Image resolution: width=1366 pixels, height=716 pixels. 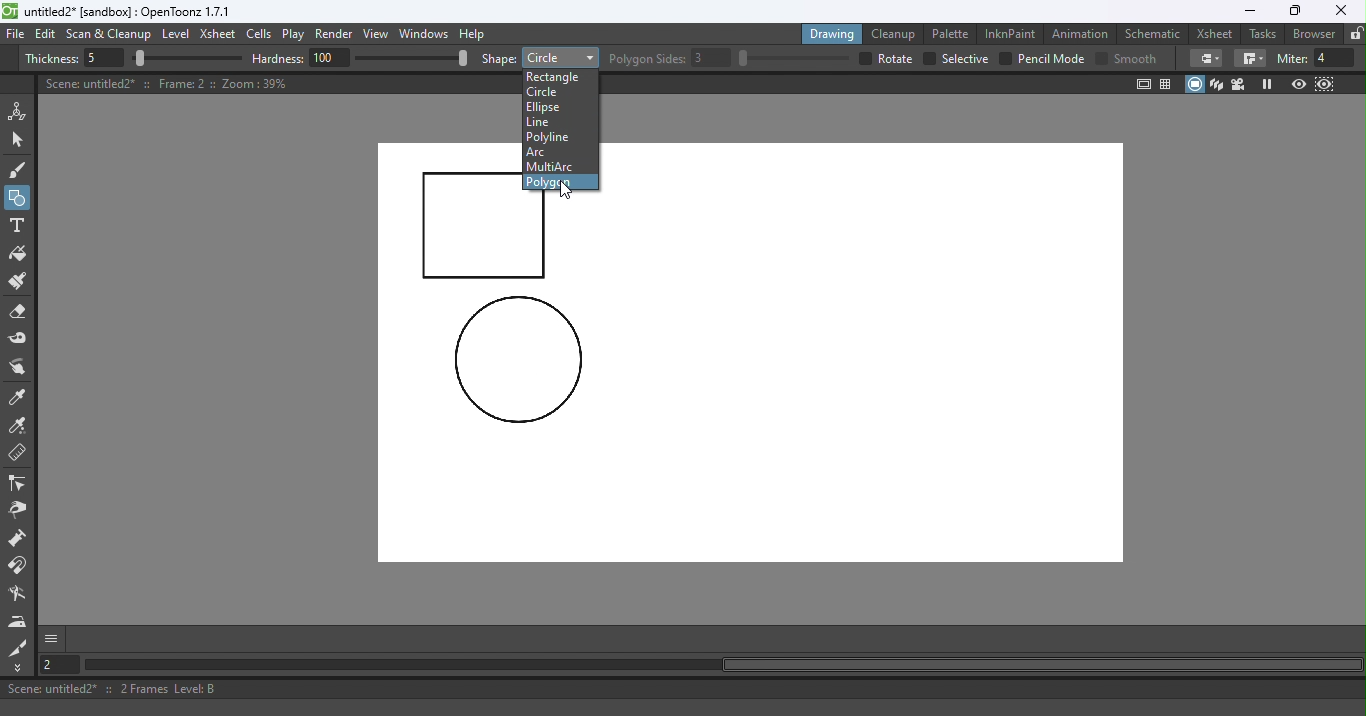 I want to click on checkbox, so click(x=1005, y=58).